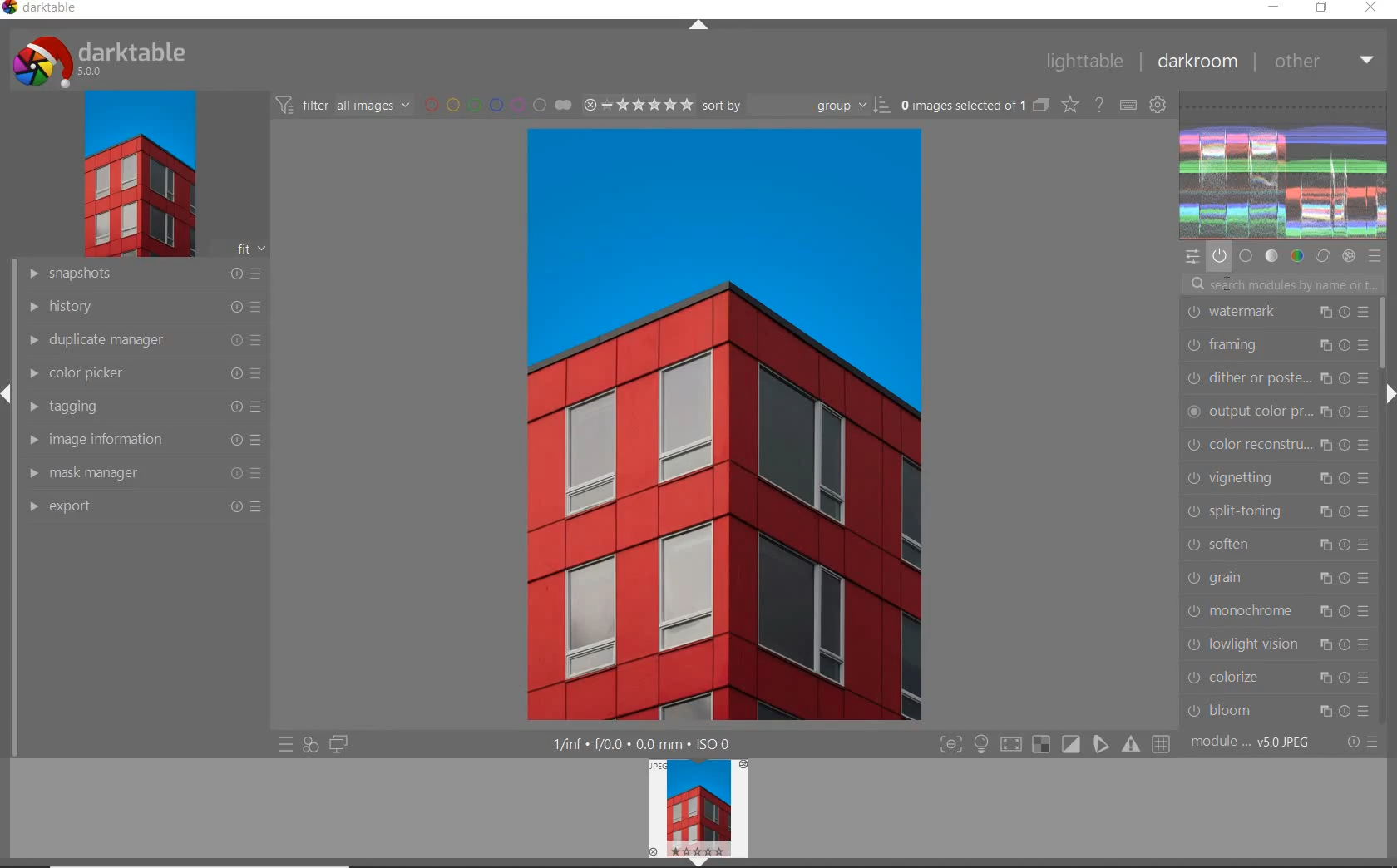  What do you see at coordinates (1194, 256) in the screenshot?
I see `quick access panel` at bounding box center [1194, 256].